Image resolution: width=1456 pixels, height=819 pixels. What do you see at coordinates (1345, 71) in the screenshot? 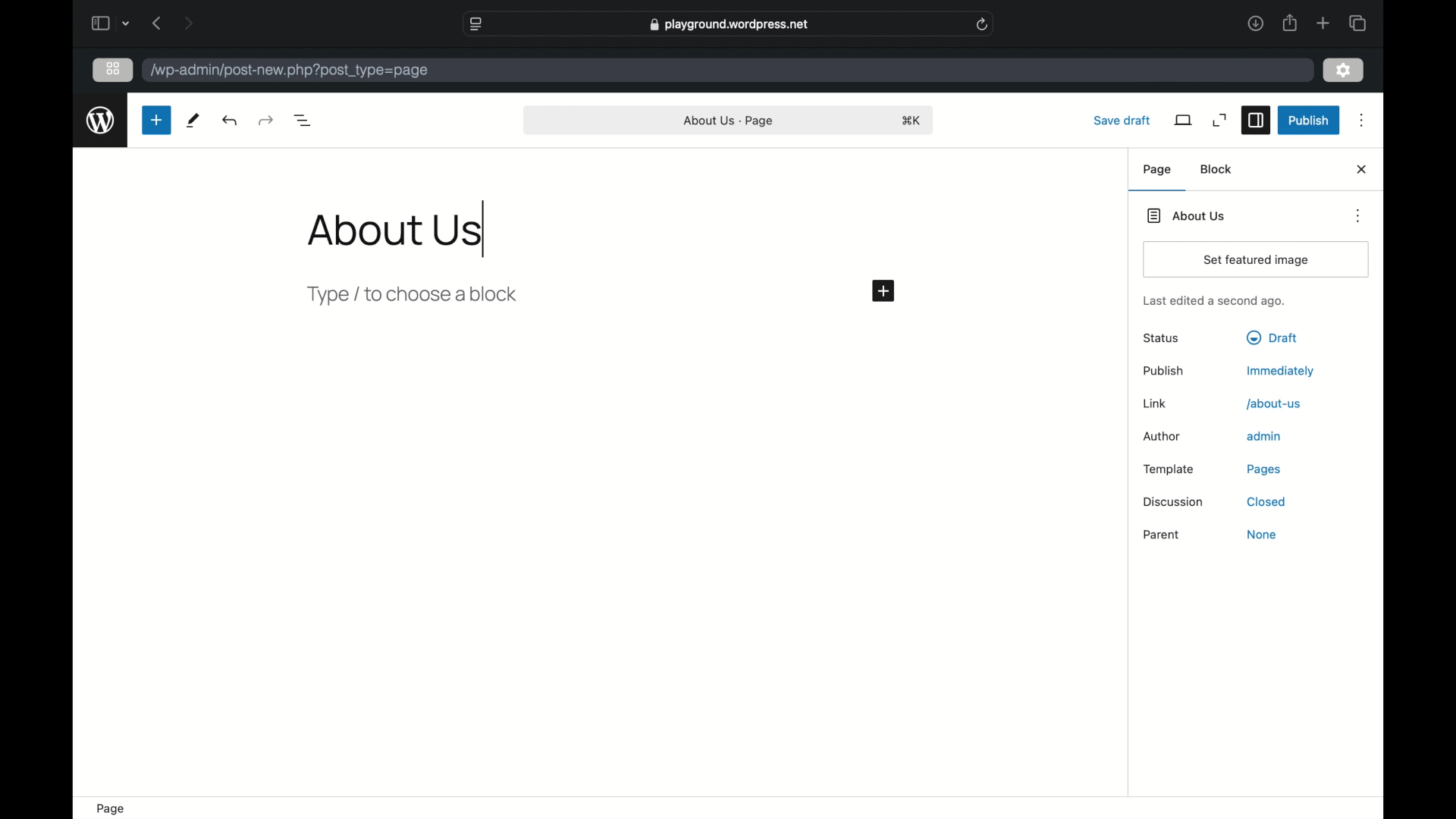
I see `settings` at bounding box center [1345, 71].